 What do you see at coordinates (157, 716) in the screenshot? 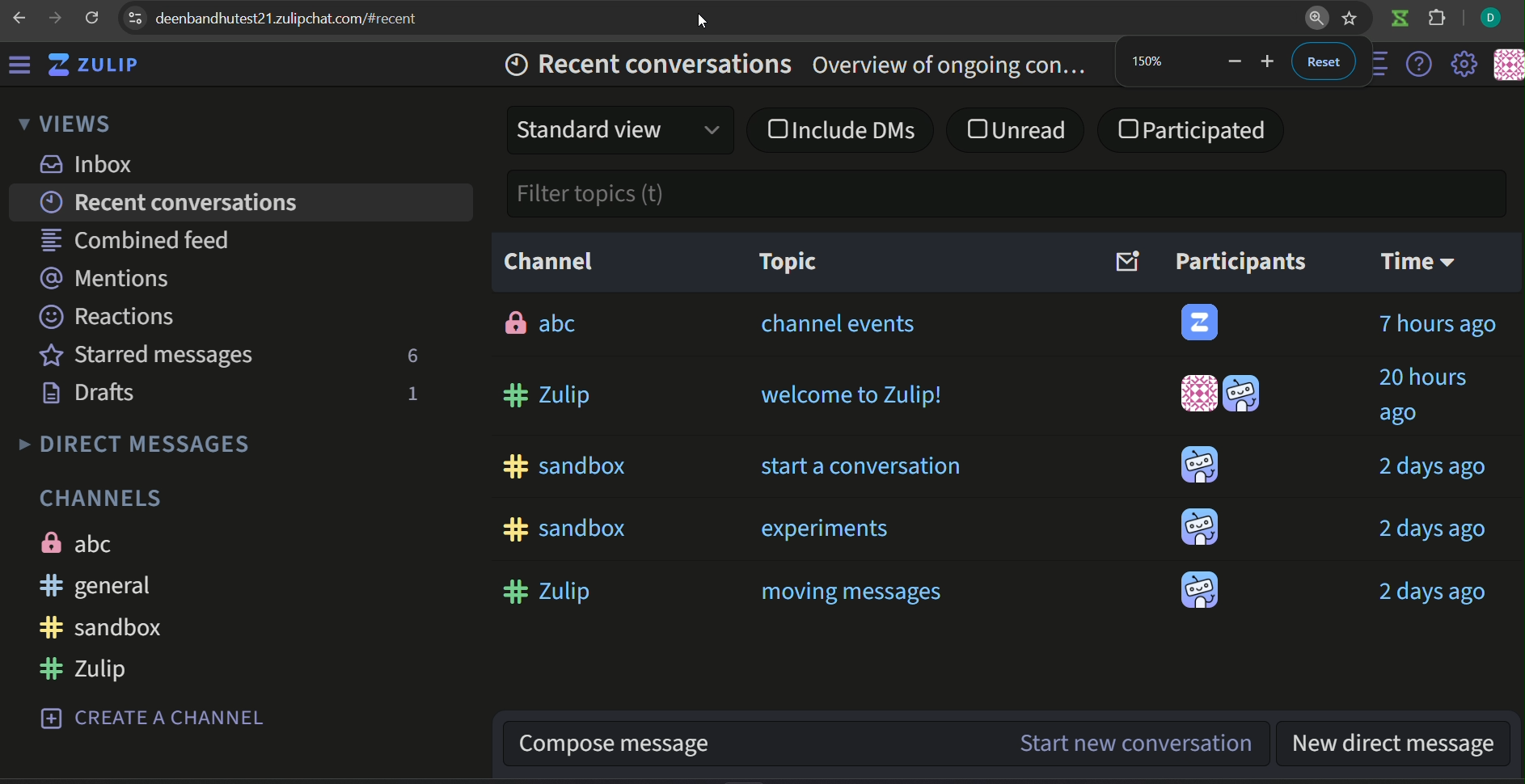
I see `create a channel` at bounding box center [157, 716].